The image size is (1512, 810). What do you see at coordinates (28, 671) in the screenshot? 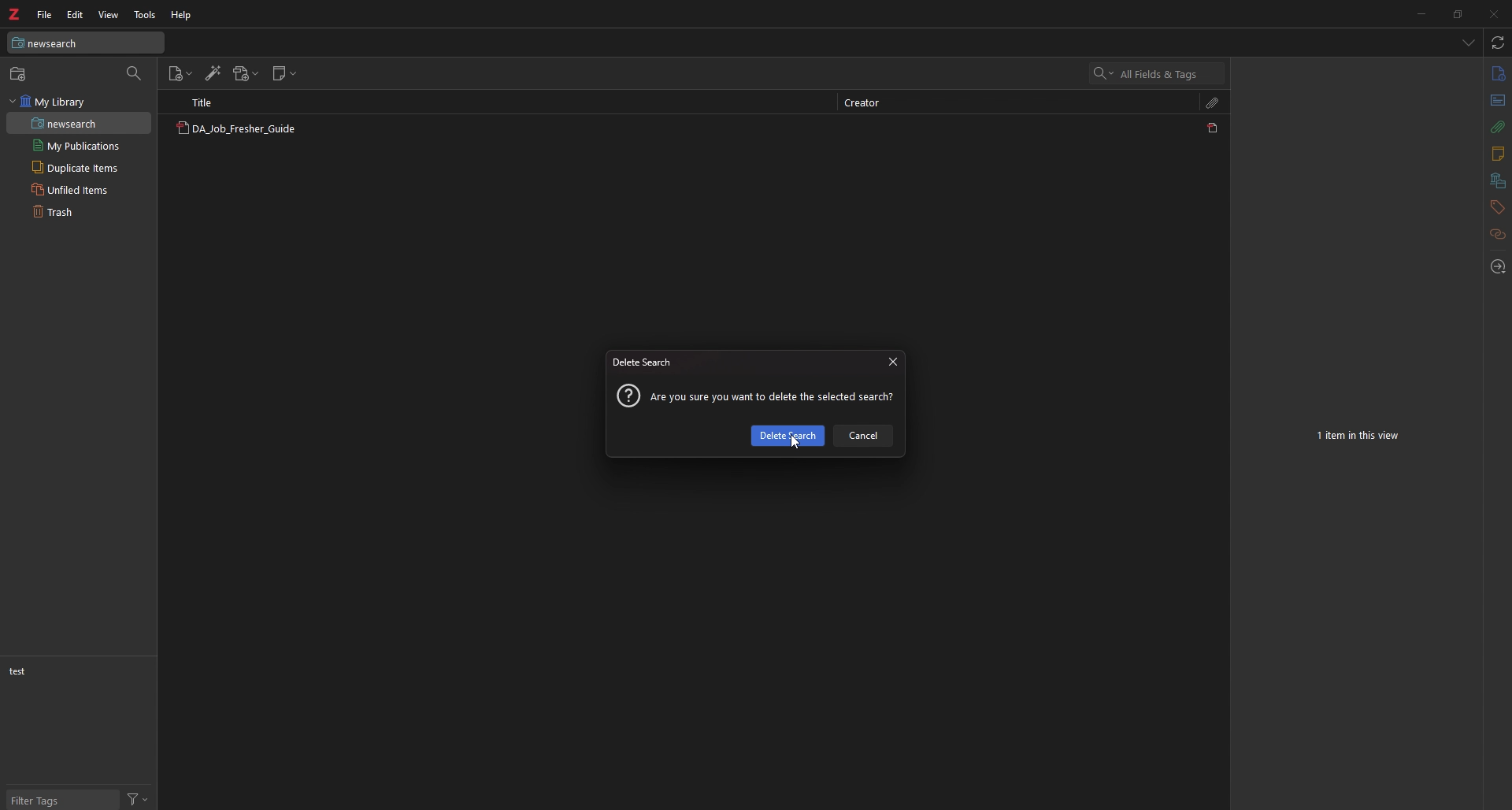
I see `non test` at bounding box center [28, 671].